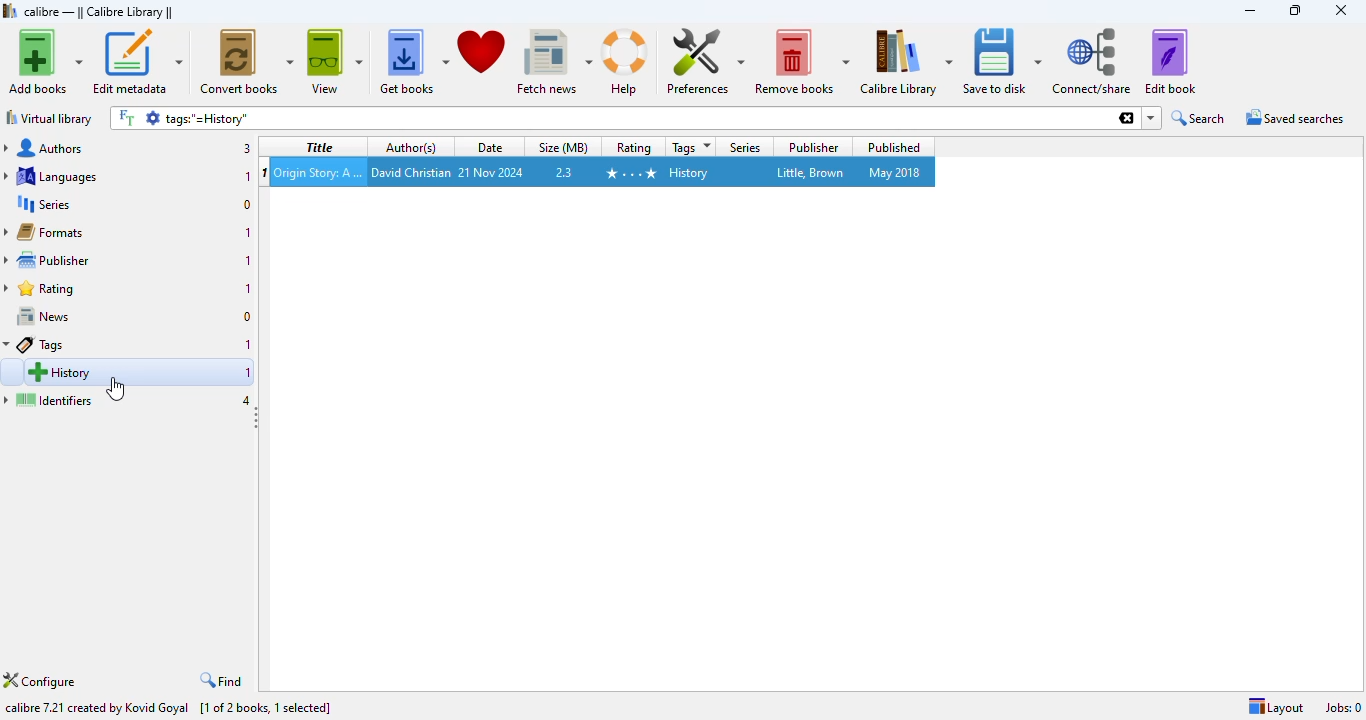  What do you see at coordinates (1294, 116) in the screenshot?
I see `saved searches` at bounding box center [1294, 116].